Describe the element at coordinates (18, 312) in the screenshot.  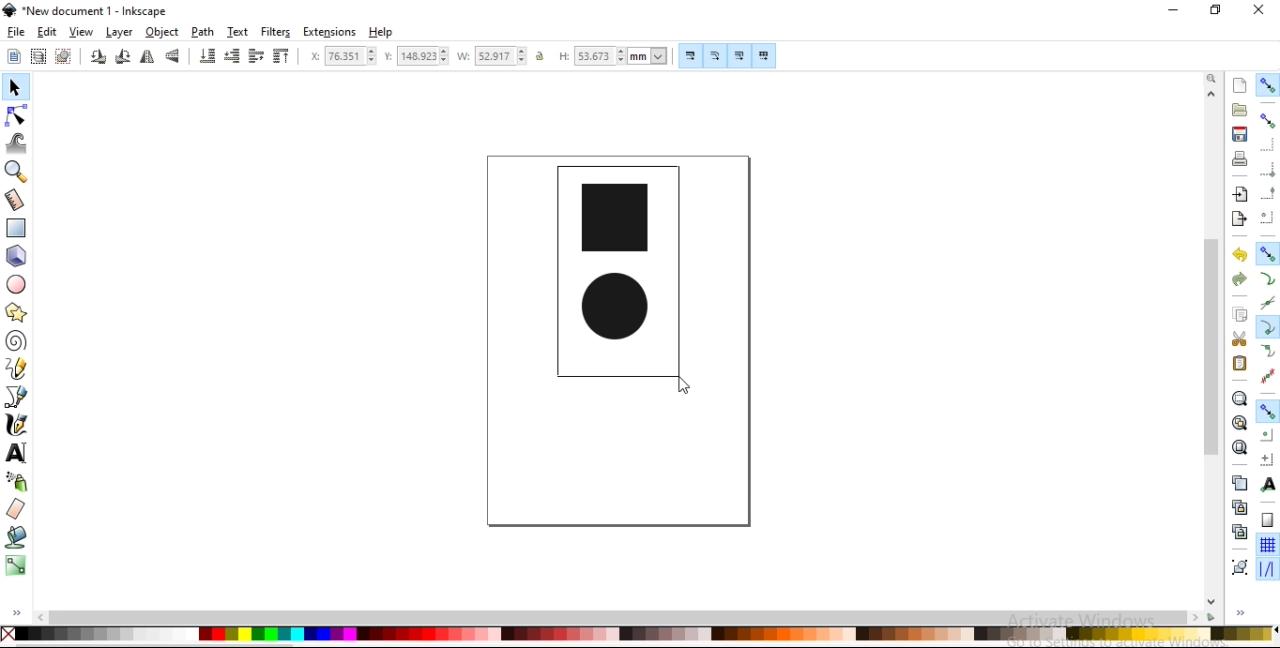
I see `create stars and polygons` at that location.